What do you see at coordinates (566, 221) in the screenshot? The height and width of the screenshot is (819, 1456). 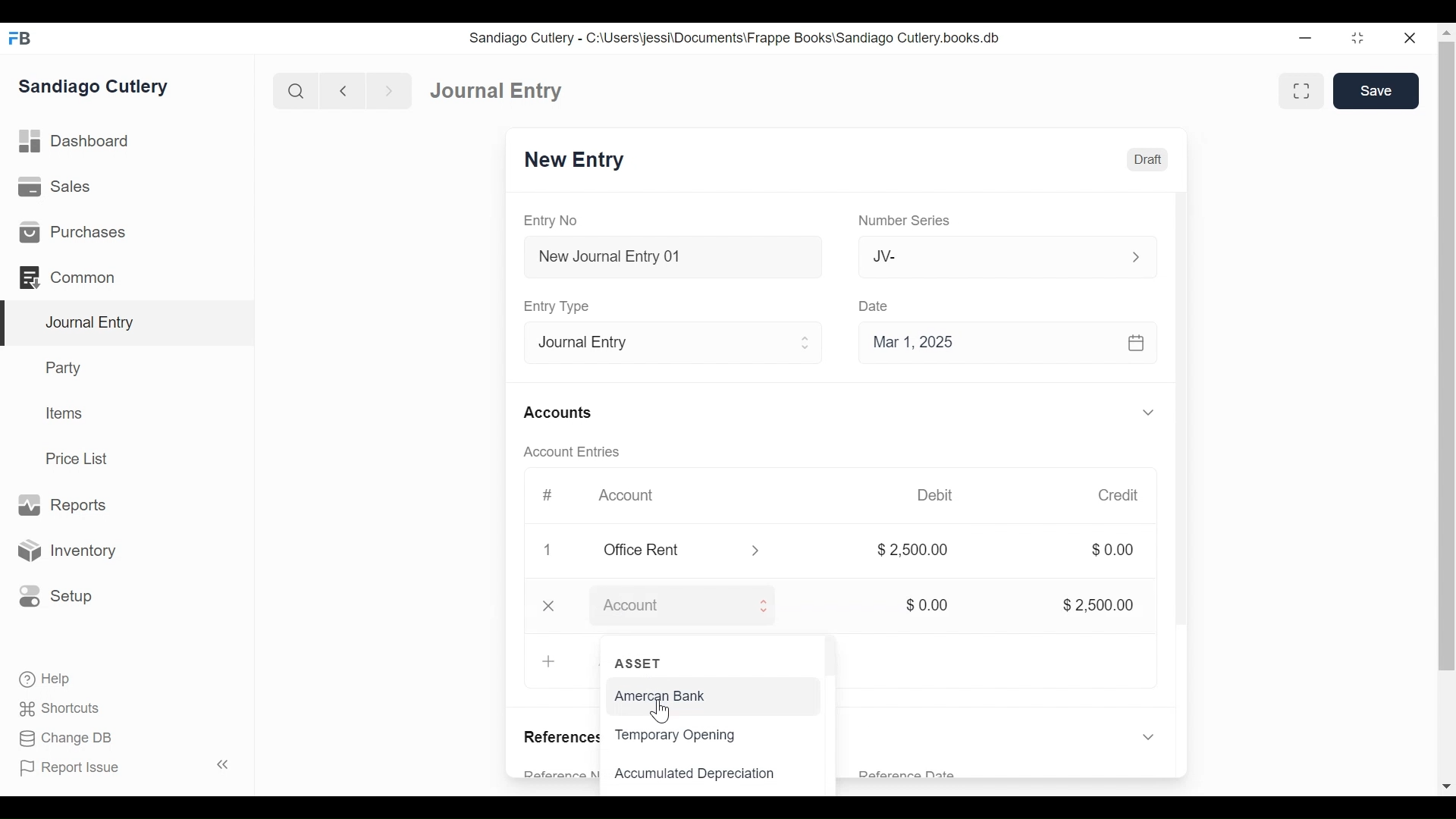 I see `Entry No` at bounding box center [566, 221].